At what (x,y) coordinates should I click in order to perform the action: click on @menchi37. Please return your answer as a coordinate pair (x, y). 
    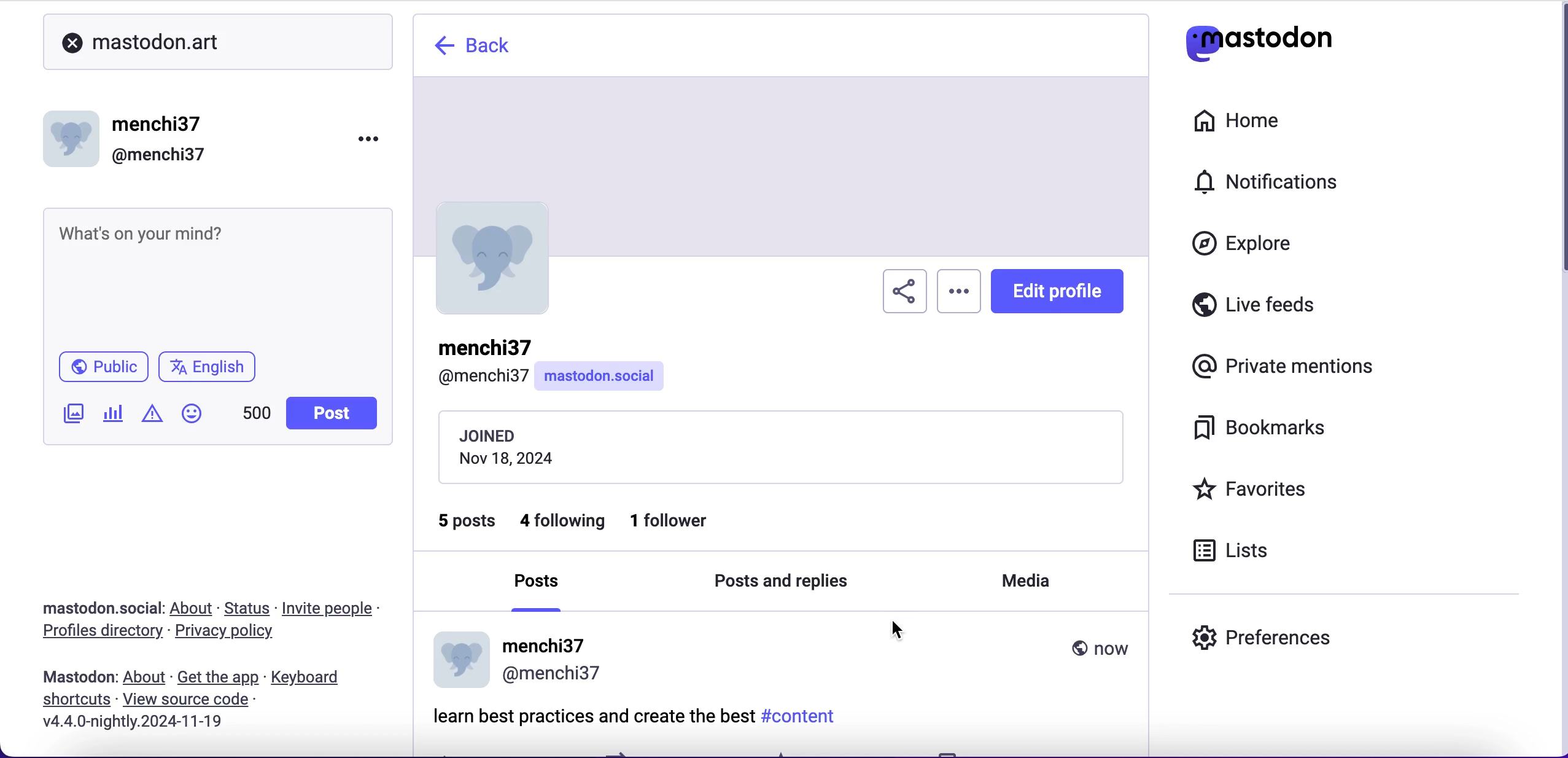
    Looking at the image, I should click on (159, 155).